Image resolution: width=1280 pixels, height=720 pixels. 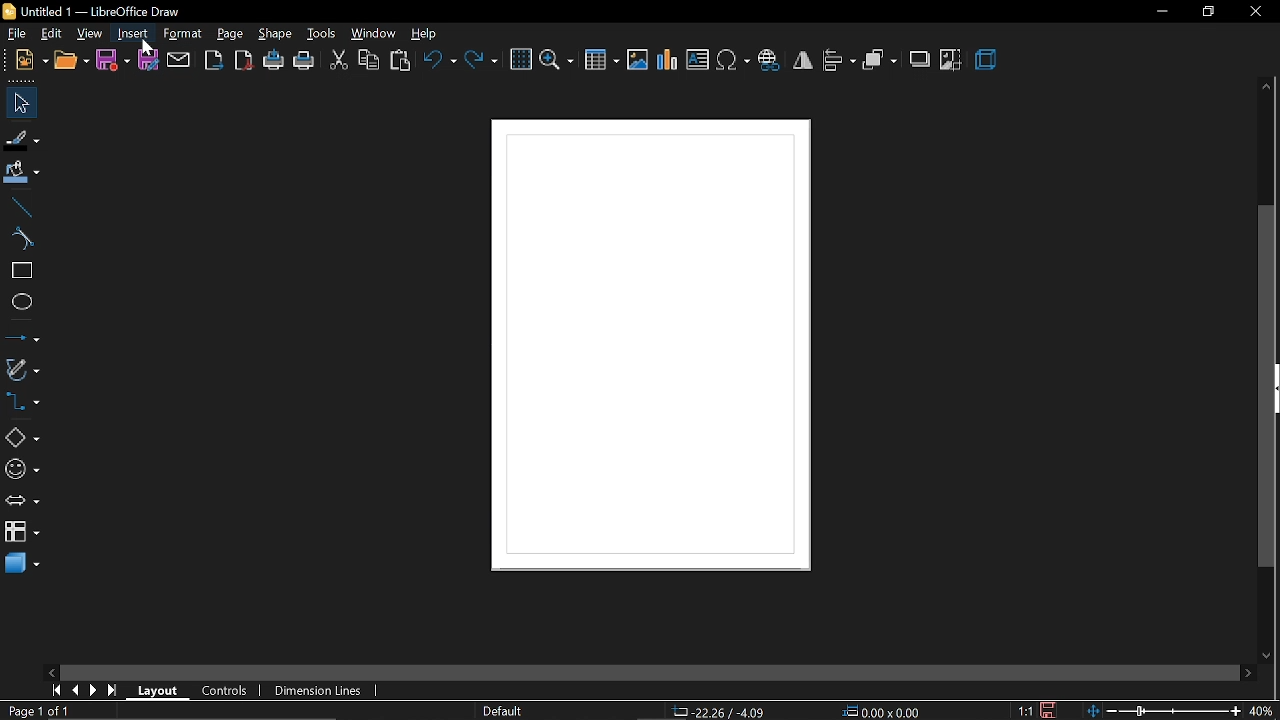 What do you see at coordinates (1268, 88) in the screenshot?
I see `move up` at bounding box center [1268, 88].